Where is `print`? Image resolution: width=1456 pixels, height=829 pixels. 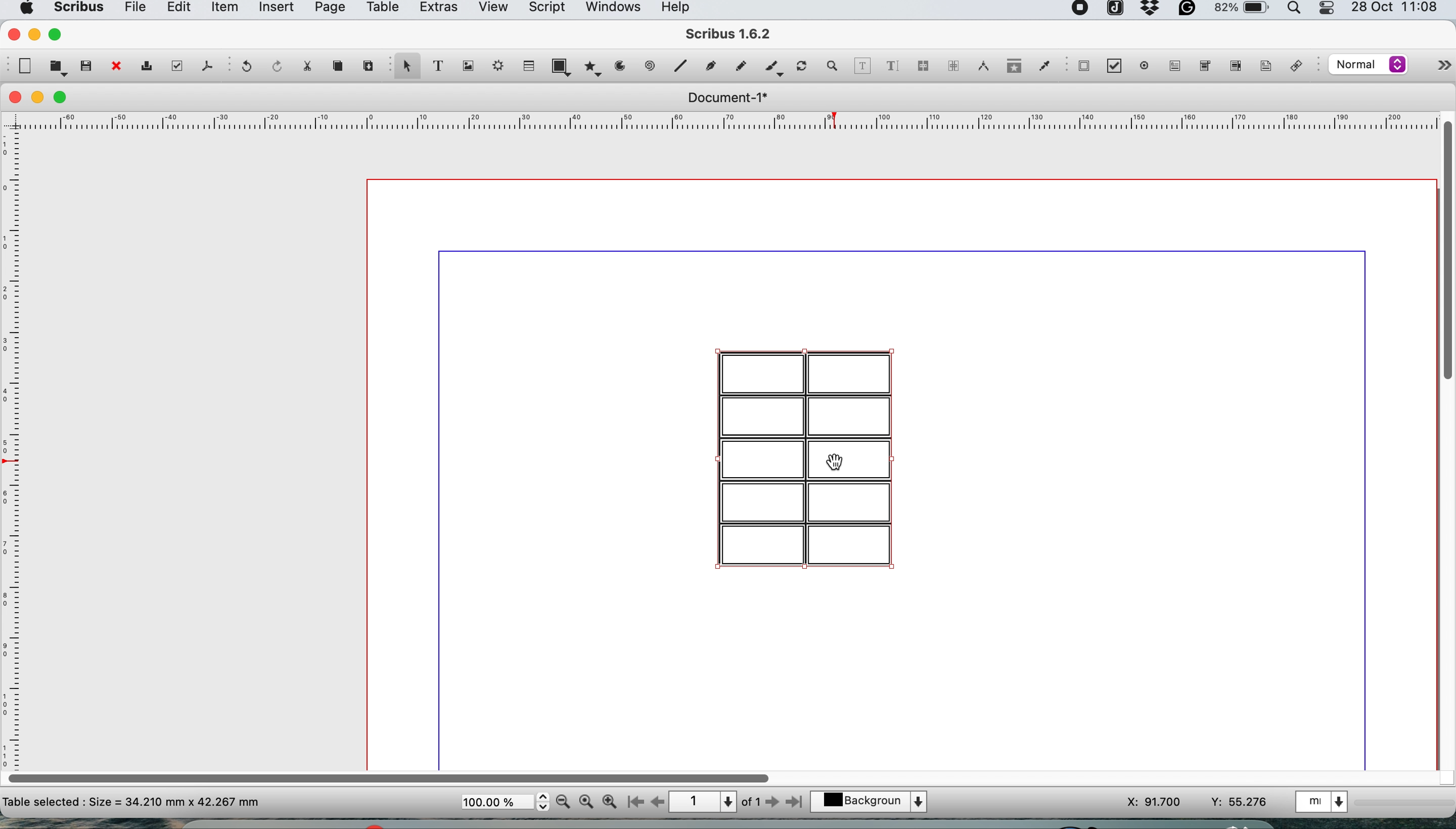 print is located at coordinates (145, 68).